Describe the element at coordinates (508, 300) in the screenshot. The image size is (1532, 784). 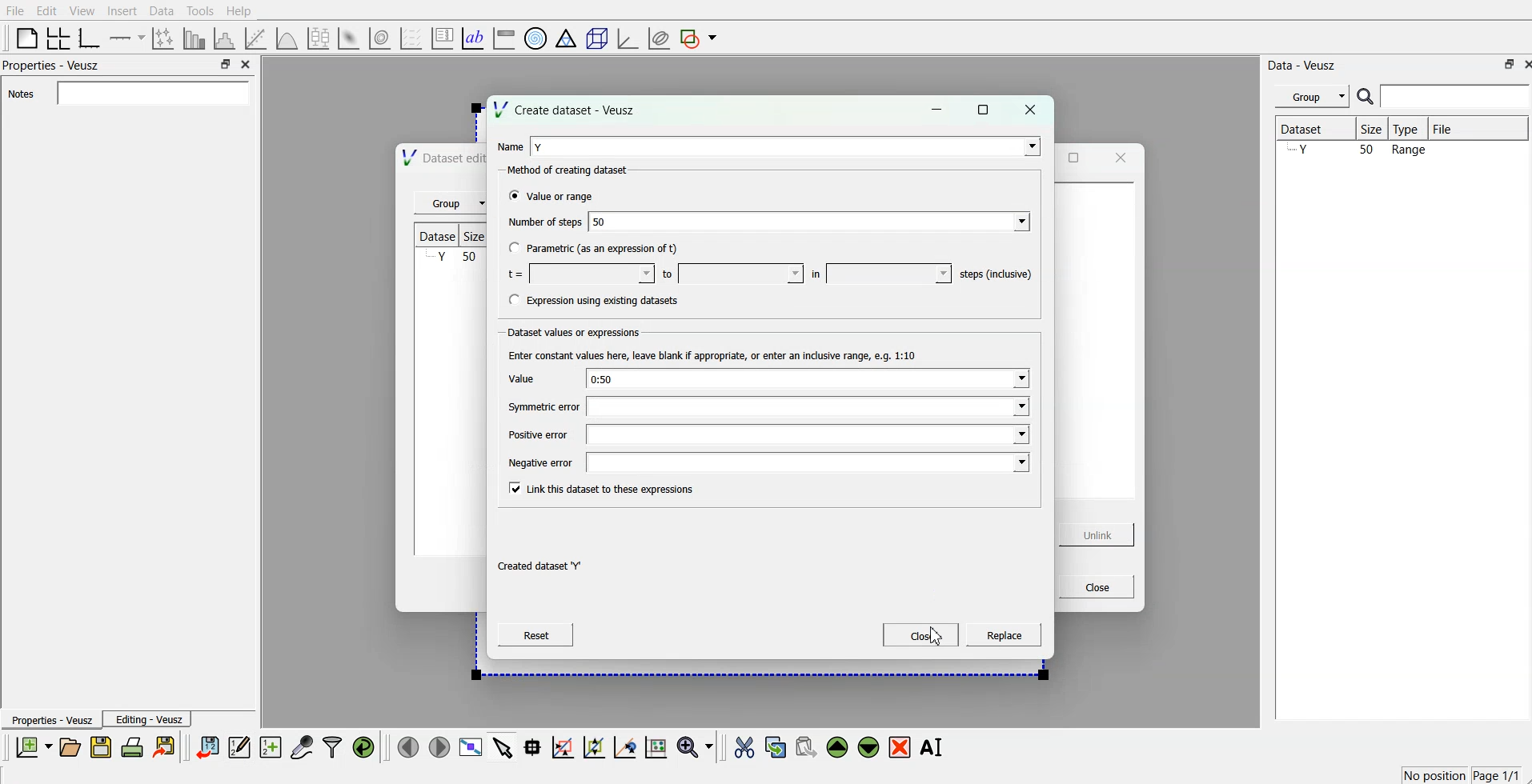
I see `checkbox` at that location.